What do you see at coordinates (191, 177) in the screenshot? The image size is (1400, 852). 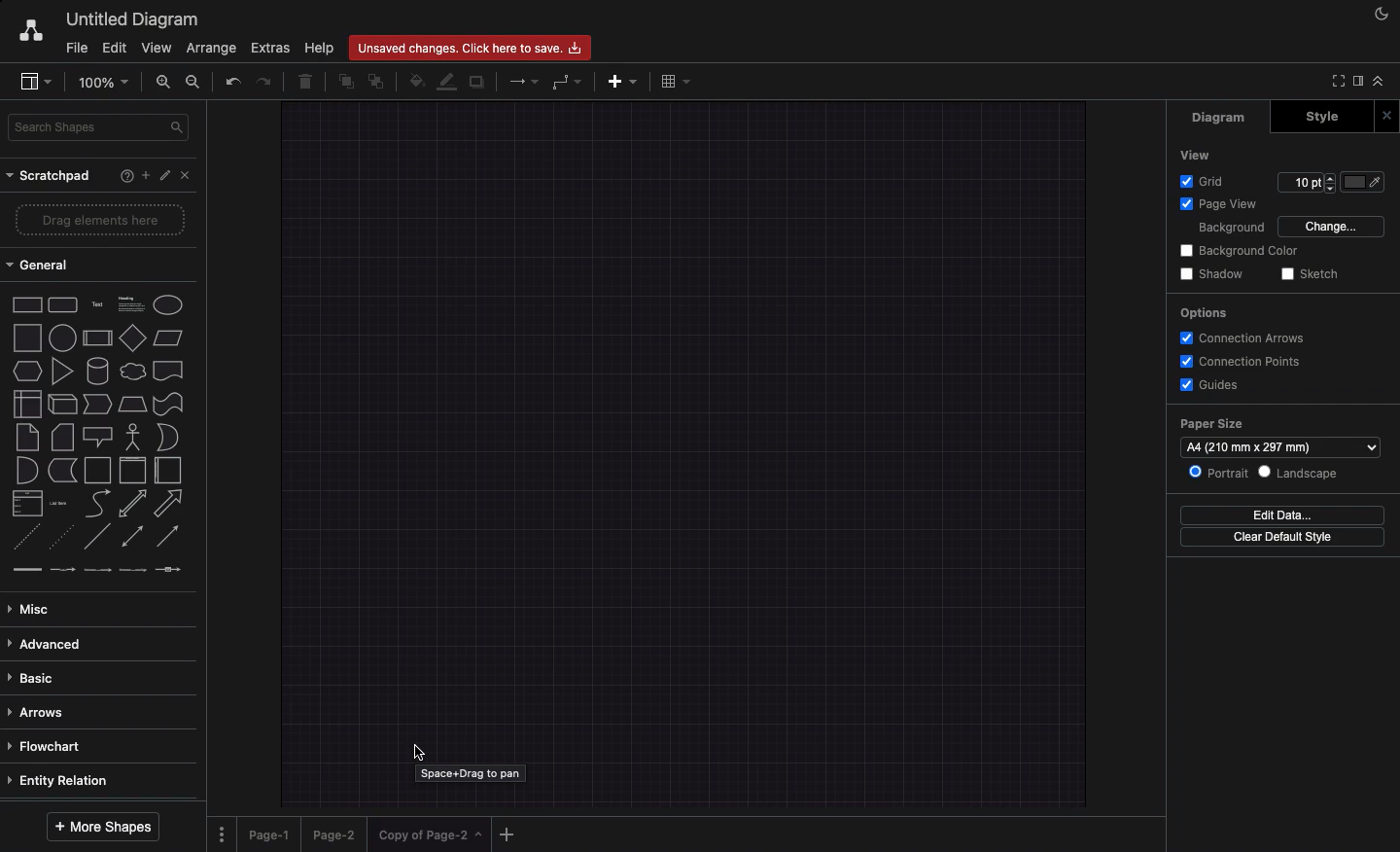 I see `Close` at bounding box center [191, 177].